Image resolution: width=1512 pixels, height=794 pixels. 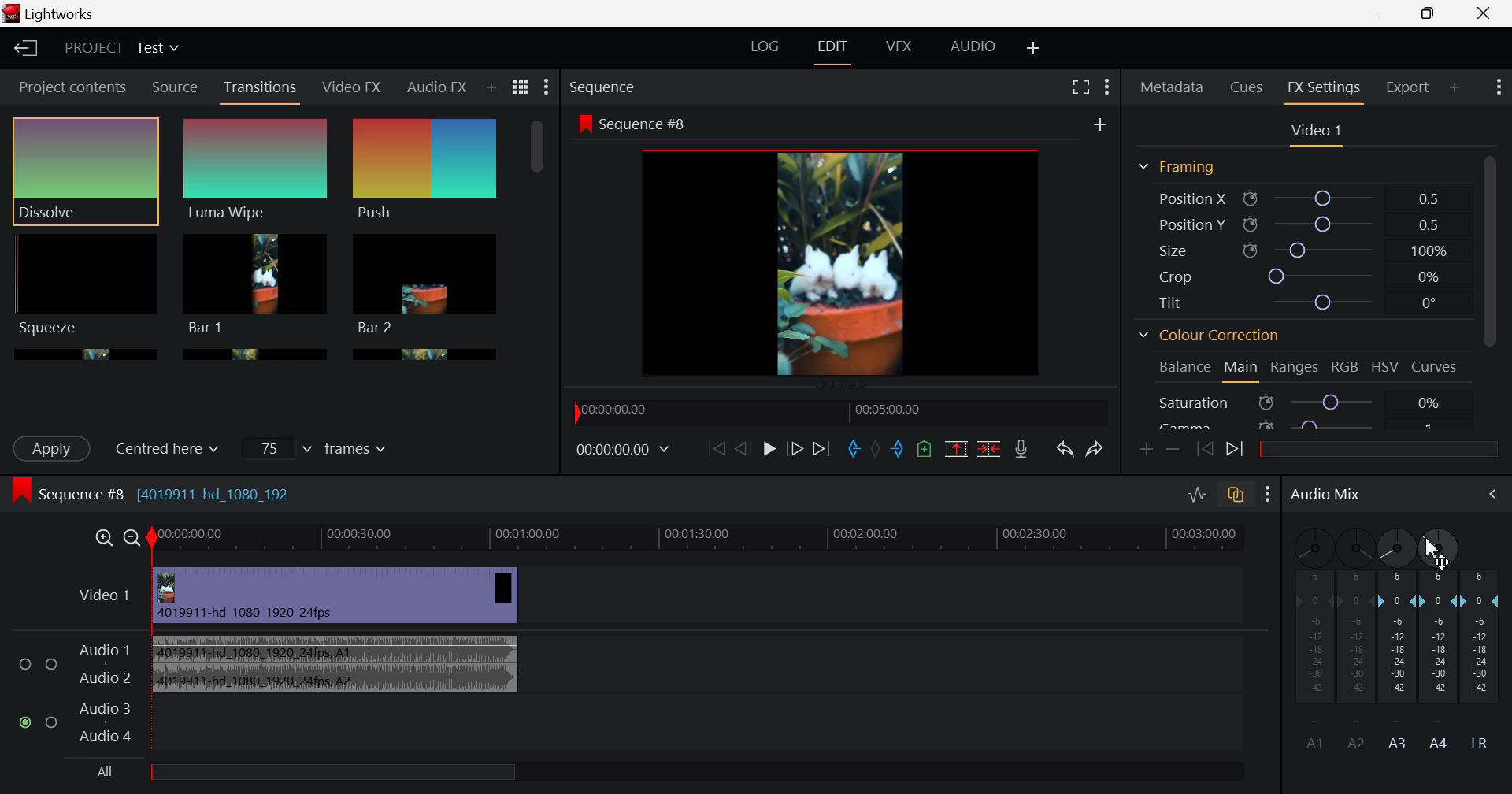 What do you see at coordinates (318, 447) in the screenshot?
I see `Frames Input` at bounding box center [318, 447].